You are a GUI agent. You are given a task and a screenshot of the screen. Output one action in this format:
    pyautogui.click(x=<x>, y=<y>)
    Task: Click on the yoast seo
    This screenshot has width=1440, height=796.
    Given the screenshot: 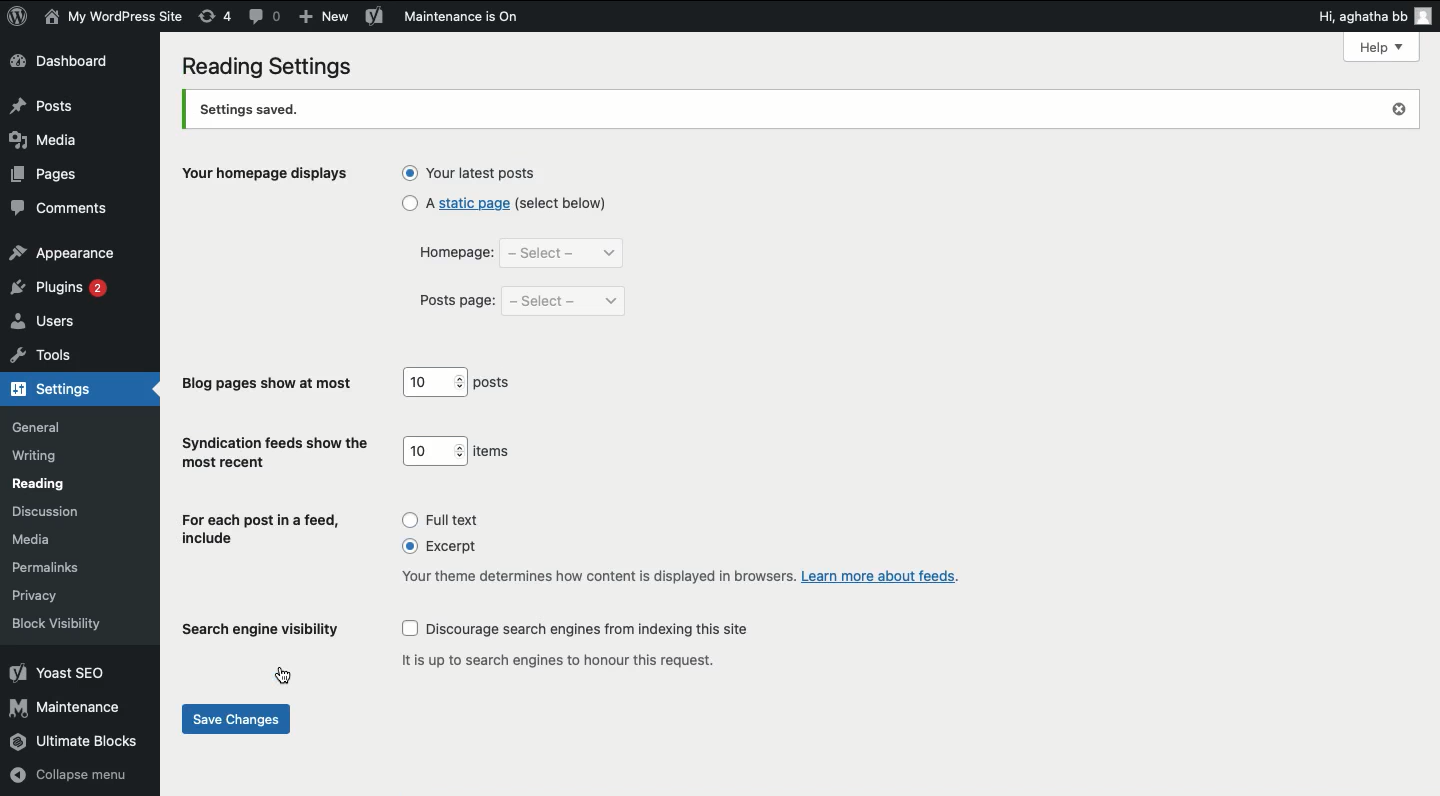 What is the action you would take?
    pyautogui.click(x=57, y=674)
    